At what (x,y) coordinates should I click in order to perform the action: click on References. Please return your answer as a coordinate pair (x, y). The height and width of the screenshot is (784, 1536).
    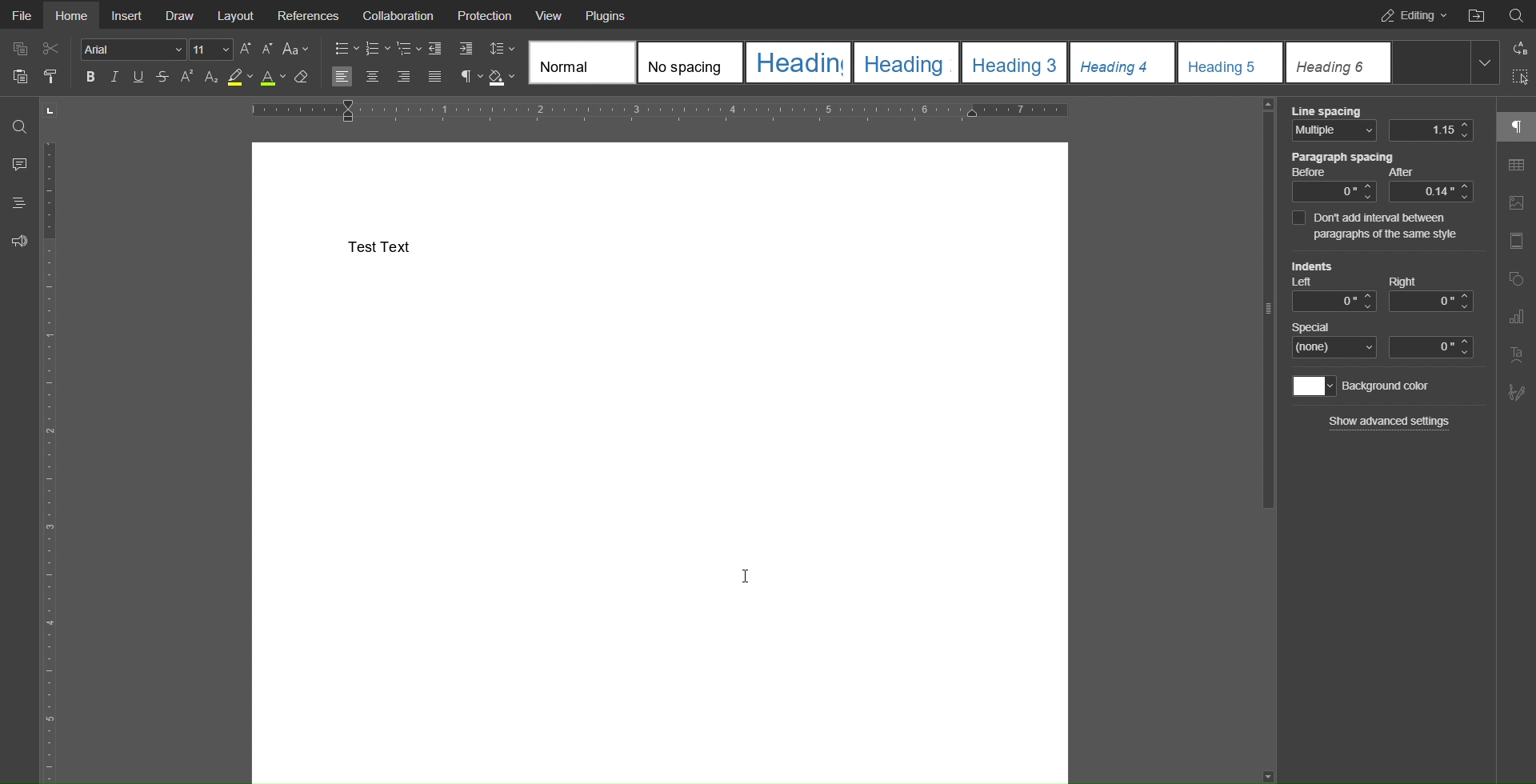
    Looking at the image, I should click on (309, 14).